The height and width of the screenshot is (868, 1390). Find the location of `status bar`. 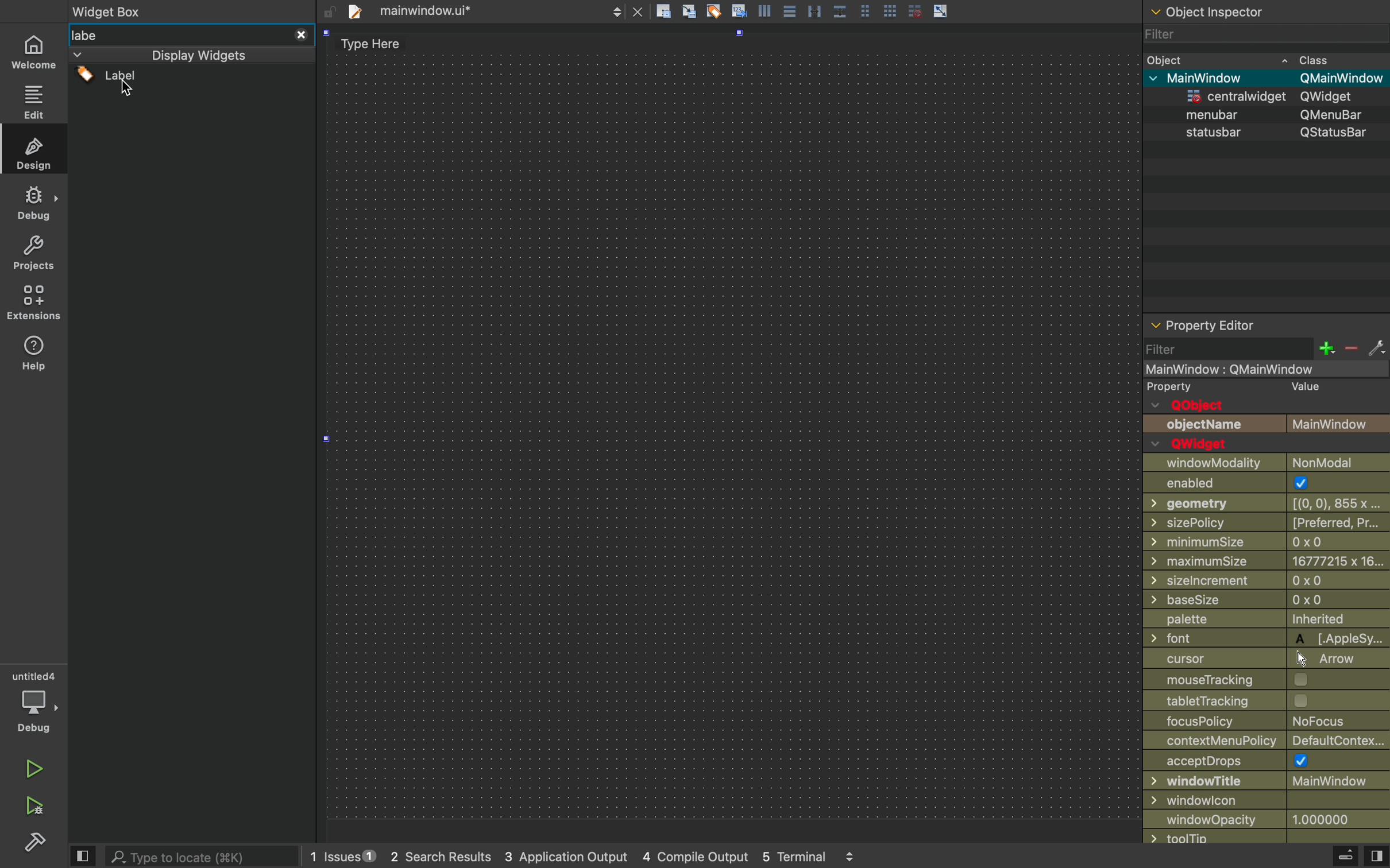

status bar is located at coordinates (1267, 133).